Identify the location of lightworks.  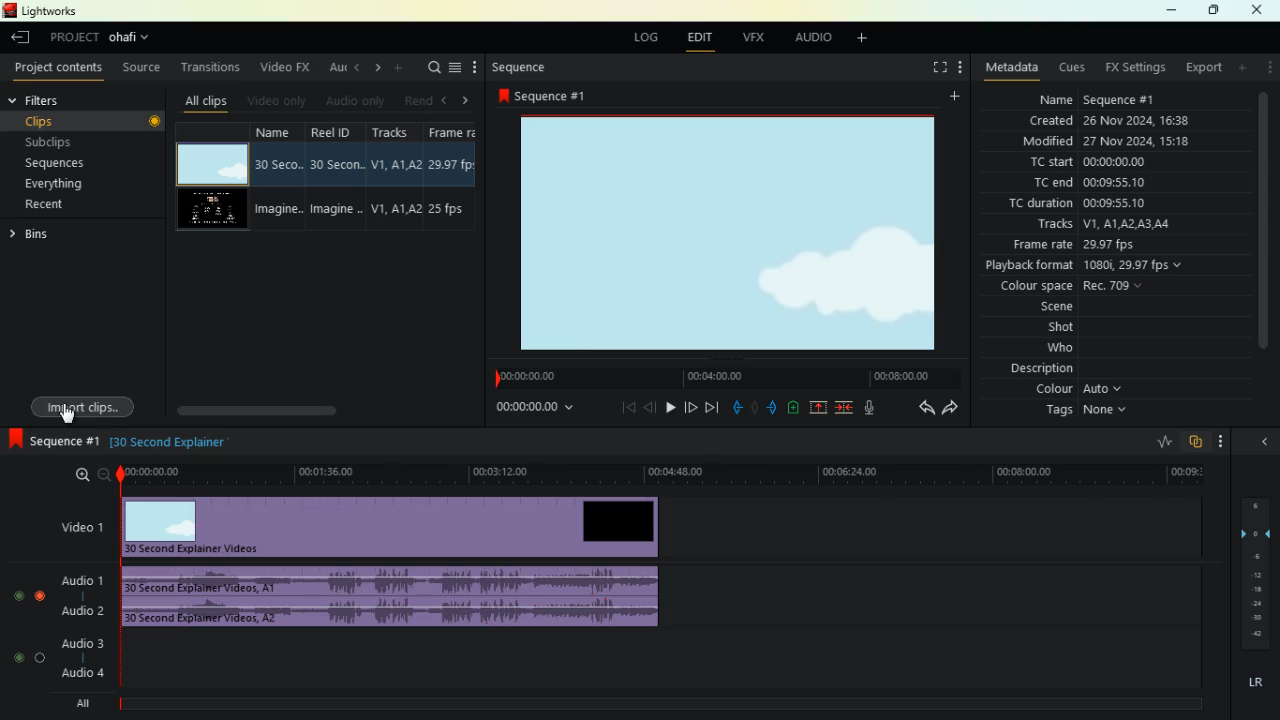
(49, 11).